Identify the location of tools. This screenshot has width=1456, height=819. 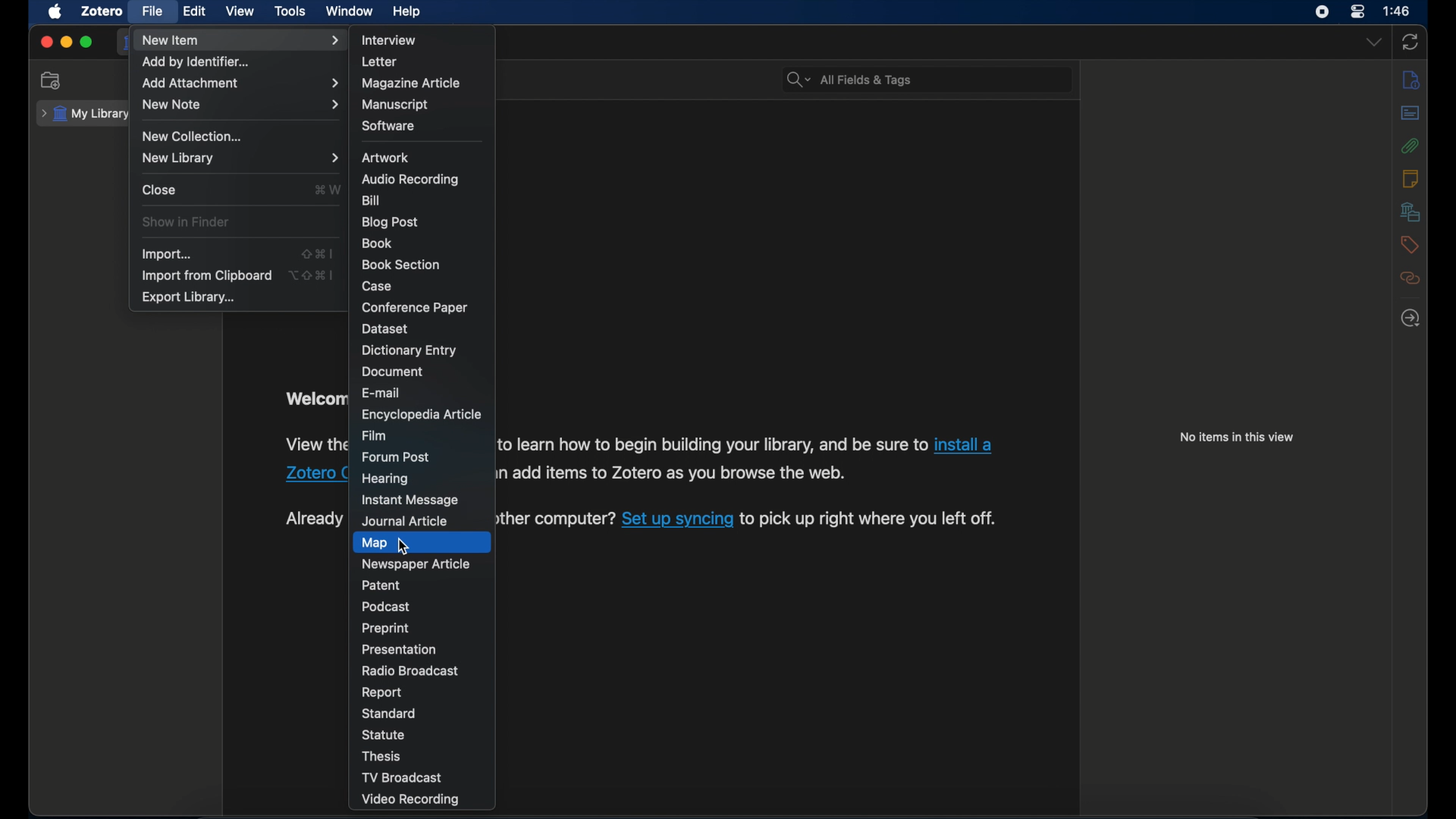
(290, 10).